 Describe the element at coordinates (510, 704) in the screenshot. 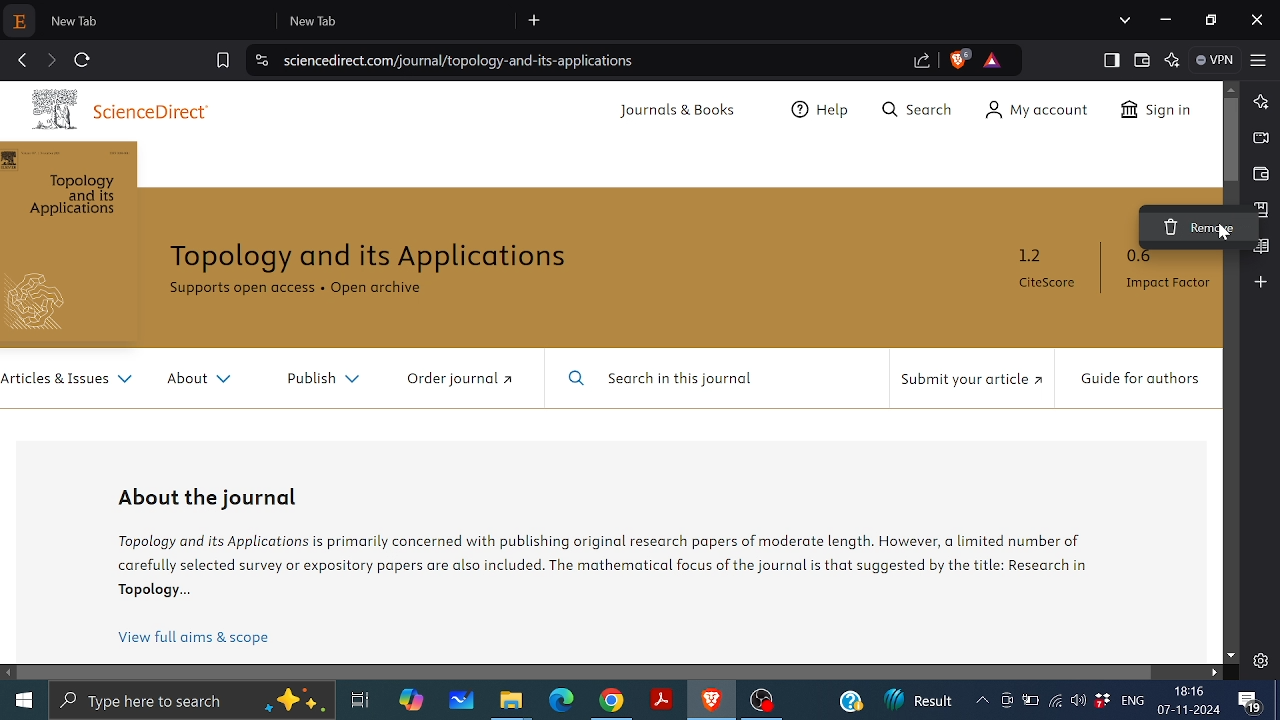

I see `Files` at that location.